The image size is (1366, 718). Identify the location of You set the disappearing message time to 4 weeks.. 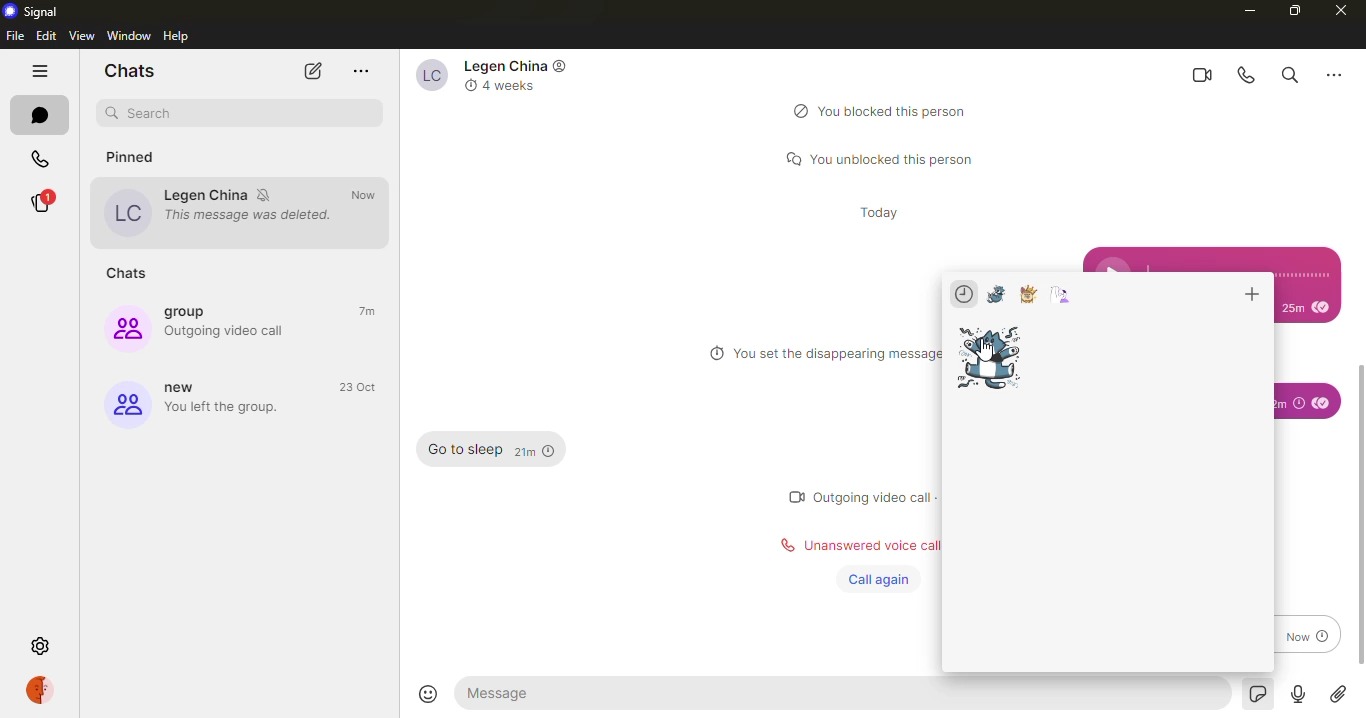
(838, 354).